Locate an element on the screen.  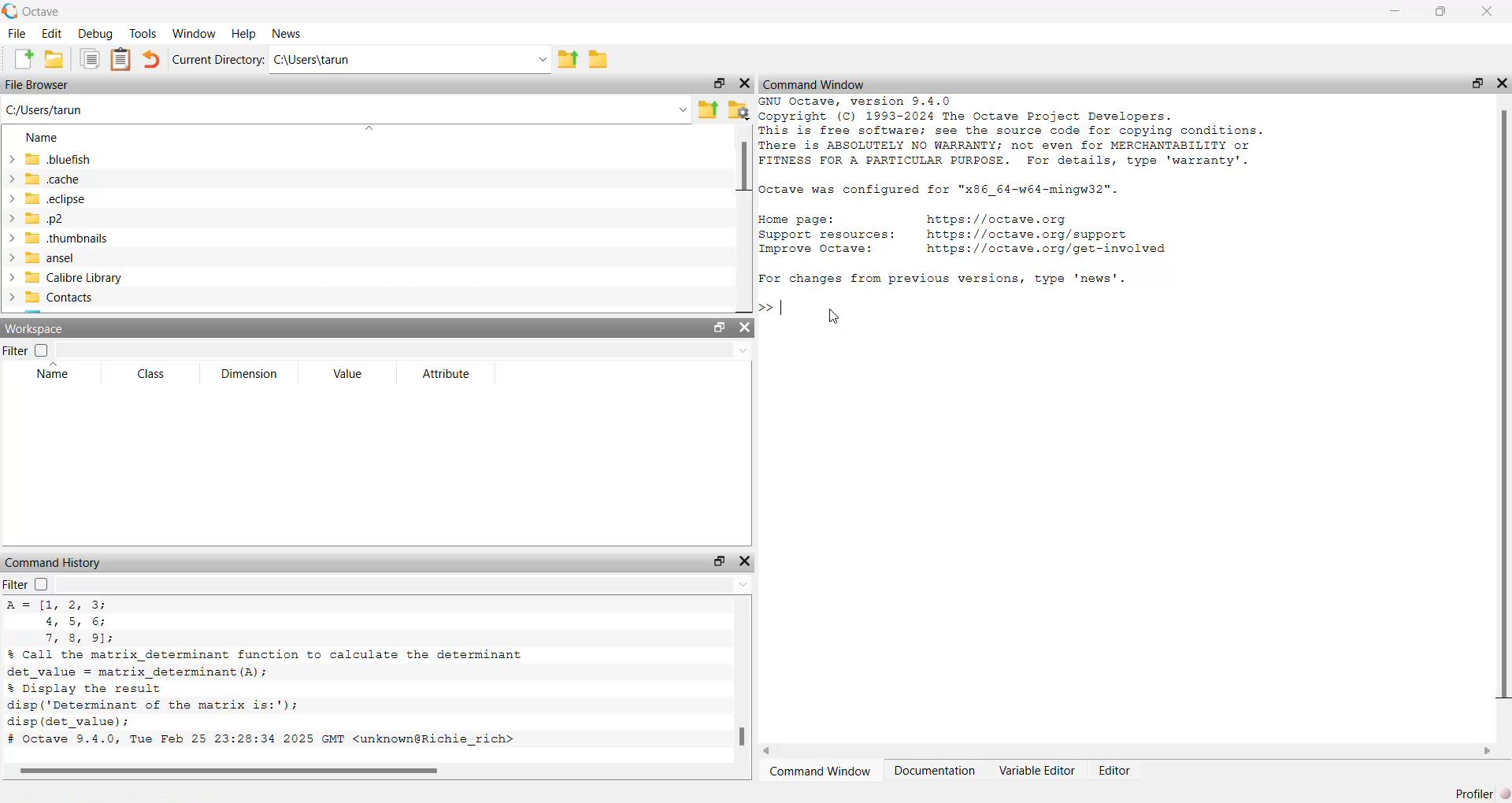
command window is located at coordinates (816, 86).